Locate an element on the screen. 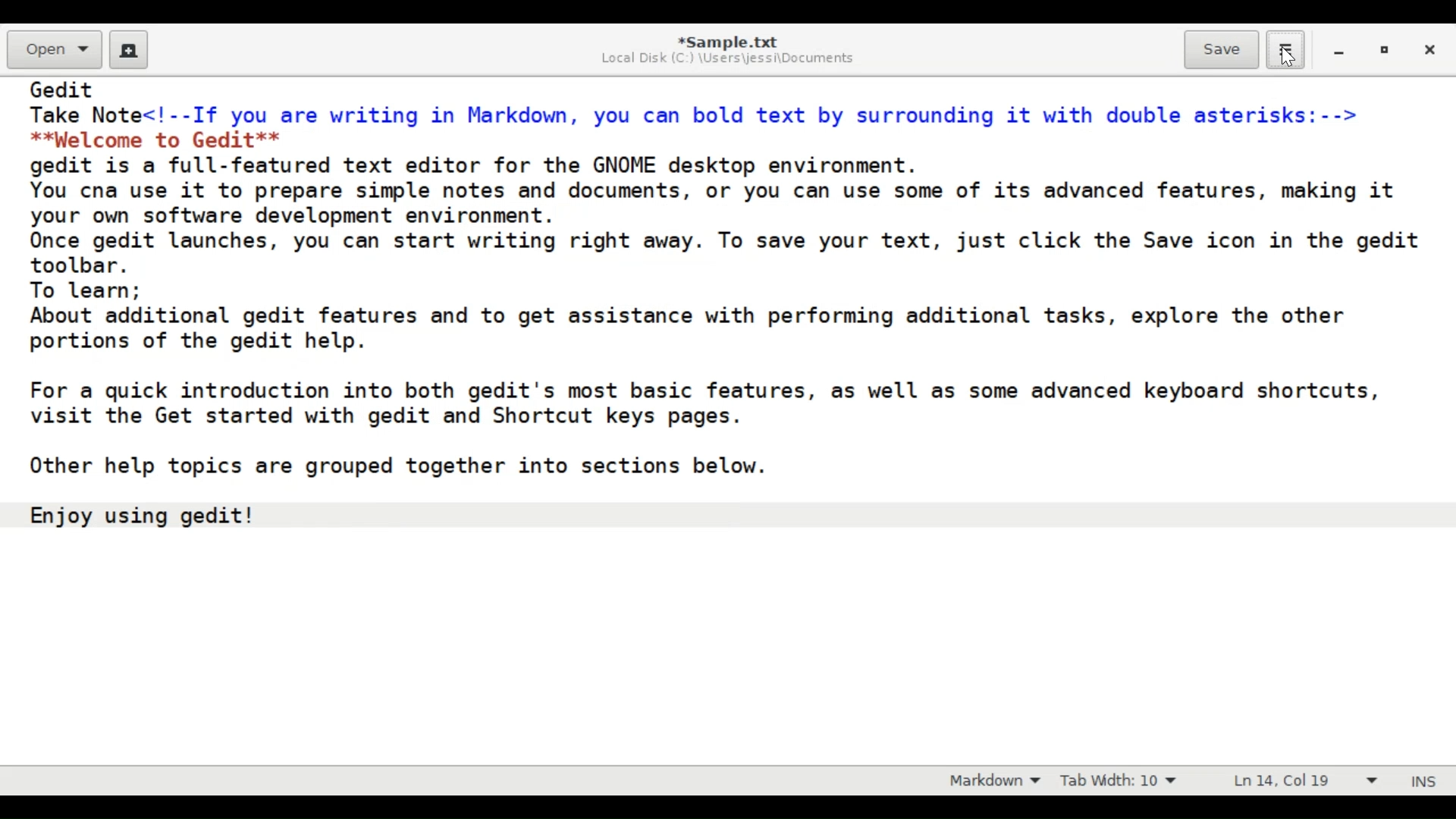  Open is located at coordinates (54, 49).